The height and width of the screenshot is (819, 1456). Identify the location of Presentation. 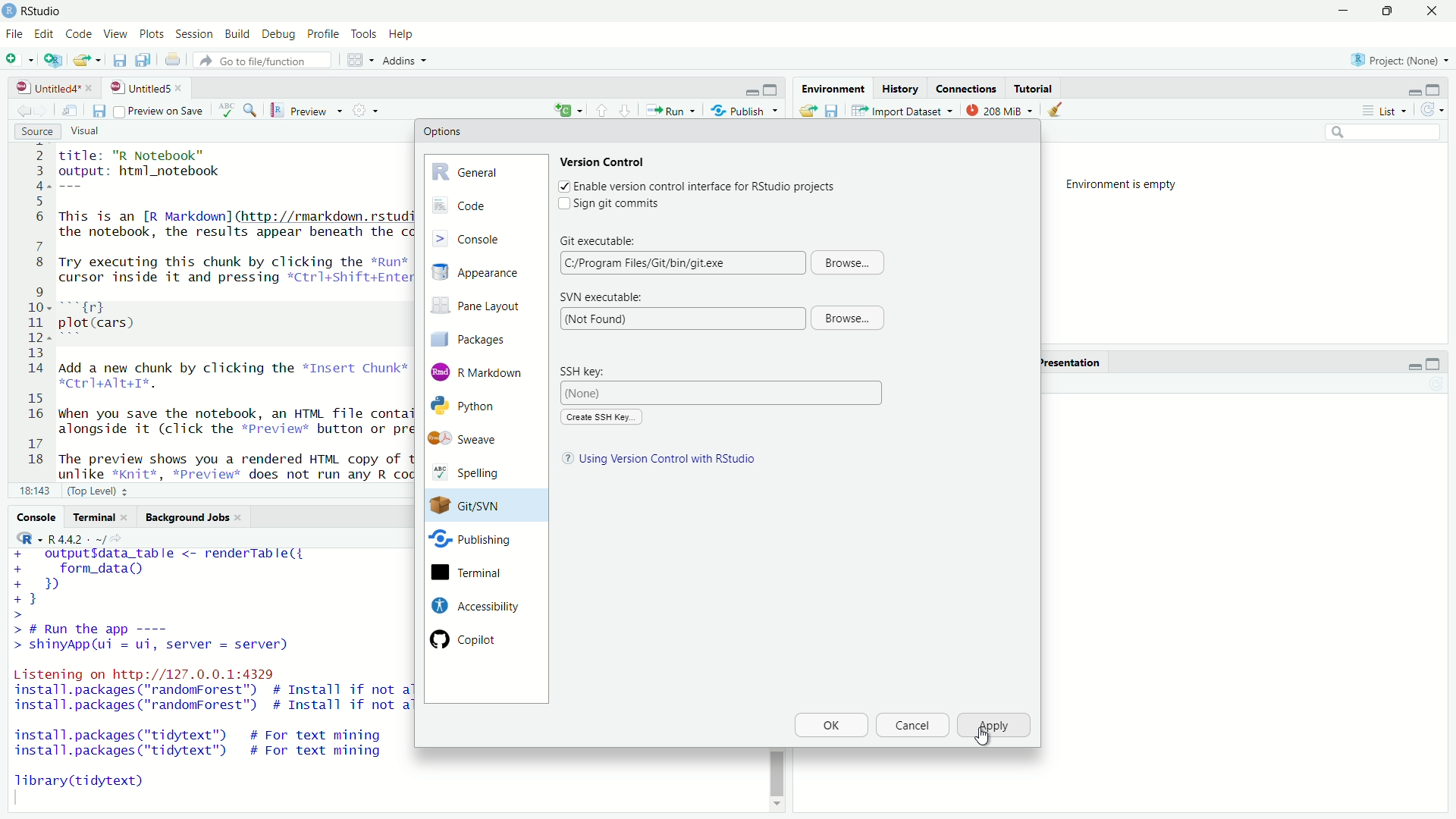
(1069, 362).